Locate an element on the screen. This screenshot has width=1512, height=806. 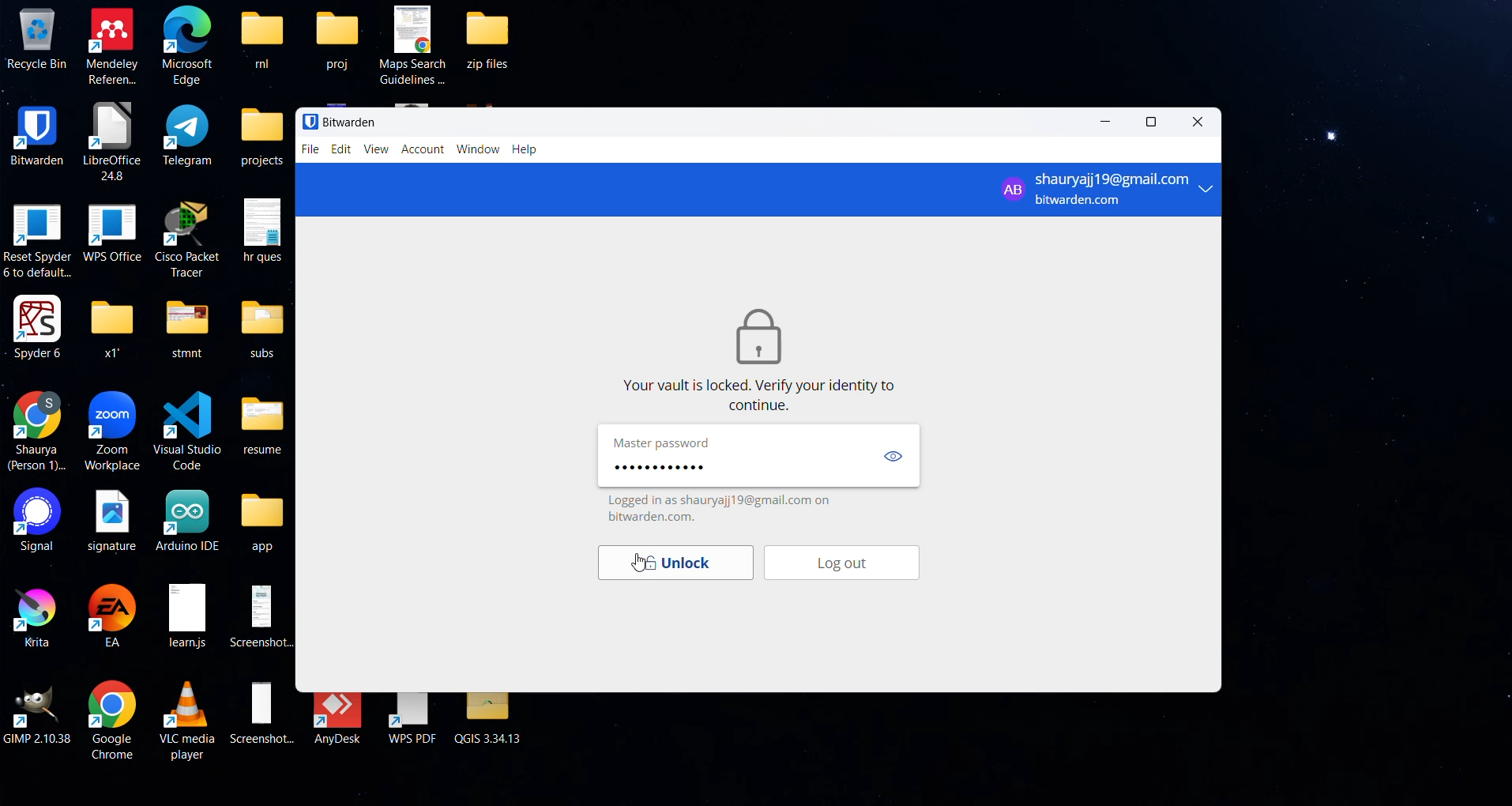
password typing box is located at coordinates (733, 467).